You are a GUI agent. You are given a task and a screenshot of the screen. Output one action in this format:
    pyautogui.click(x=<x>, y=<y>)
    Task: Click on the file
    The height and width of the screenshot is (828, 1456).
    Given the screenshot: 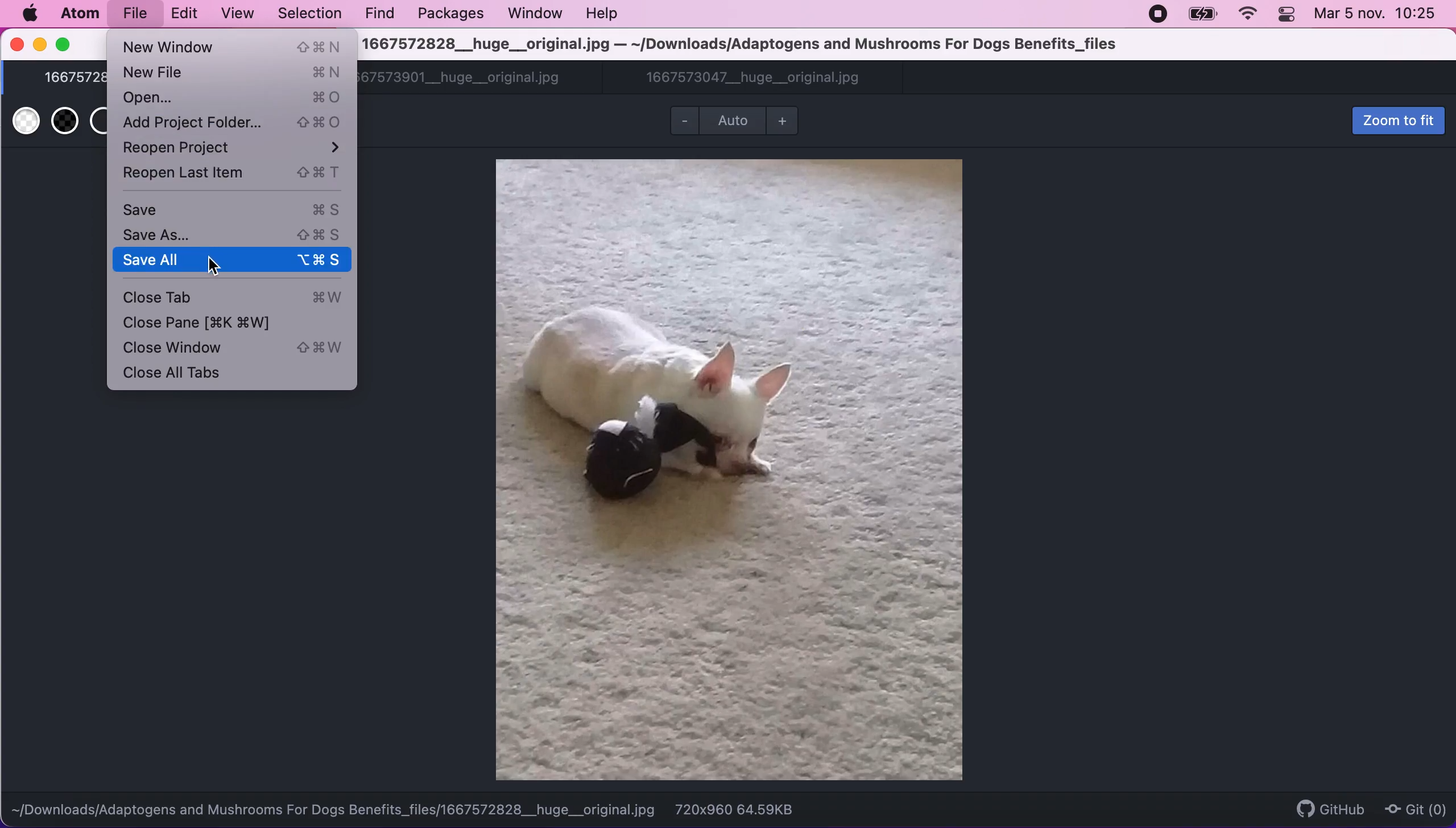 What is the action you would take?
    pyautogui.click(x=138, y=15)
    